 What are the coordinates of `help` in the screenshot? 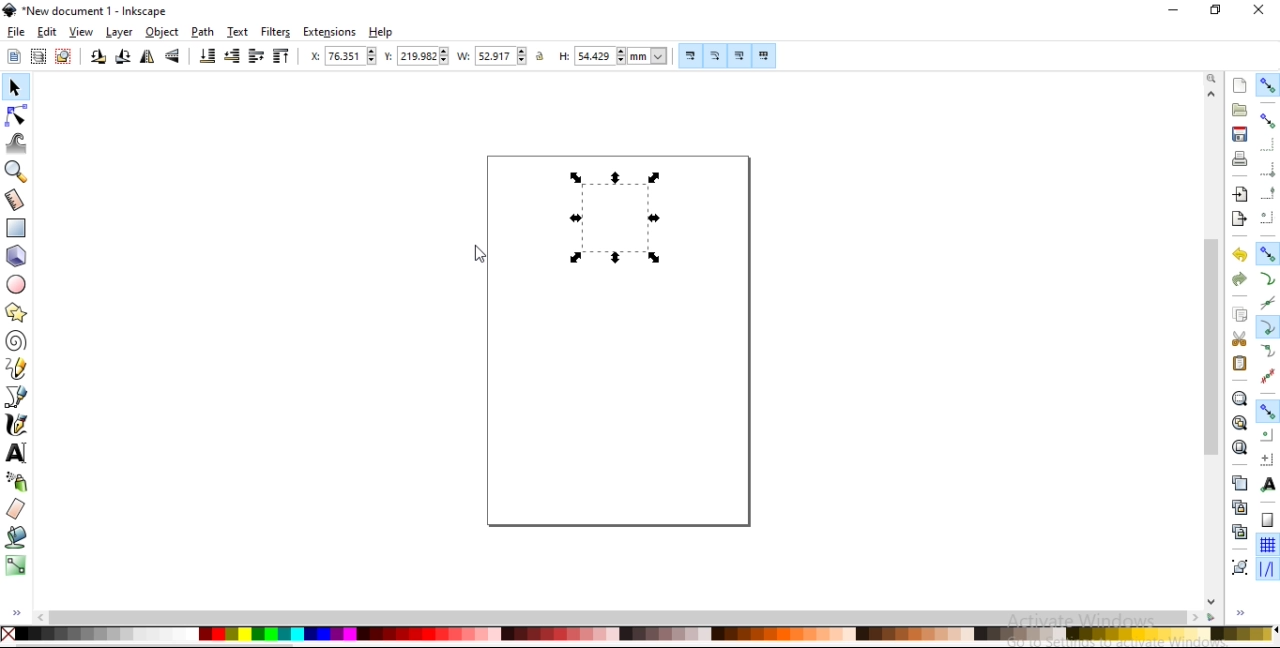 It's located at (381, 32).